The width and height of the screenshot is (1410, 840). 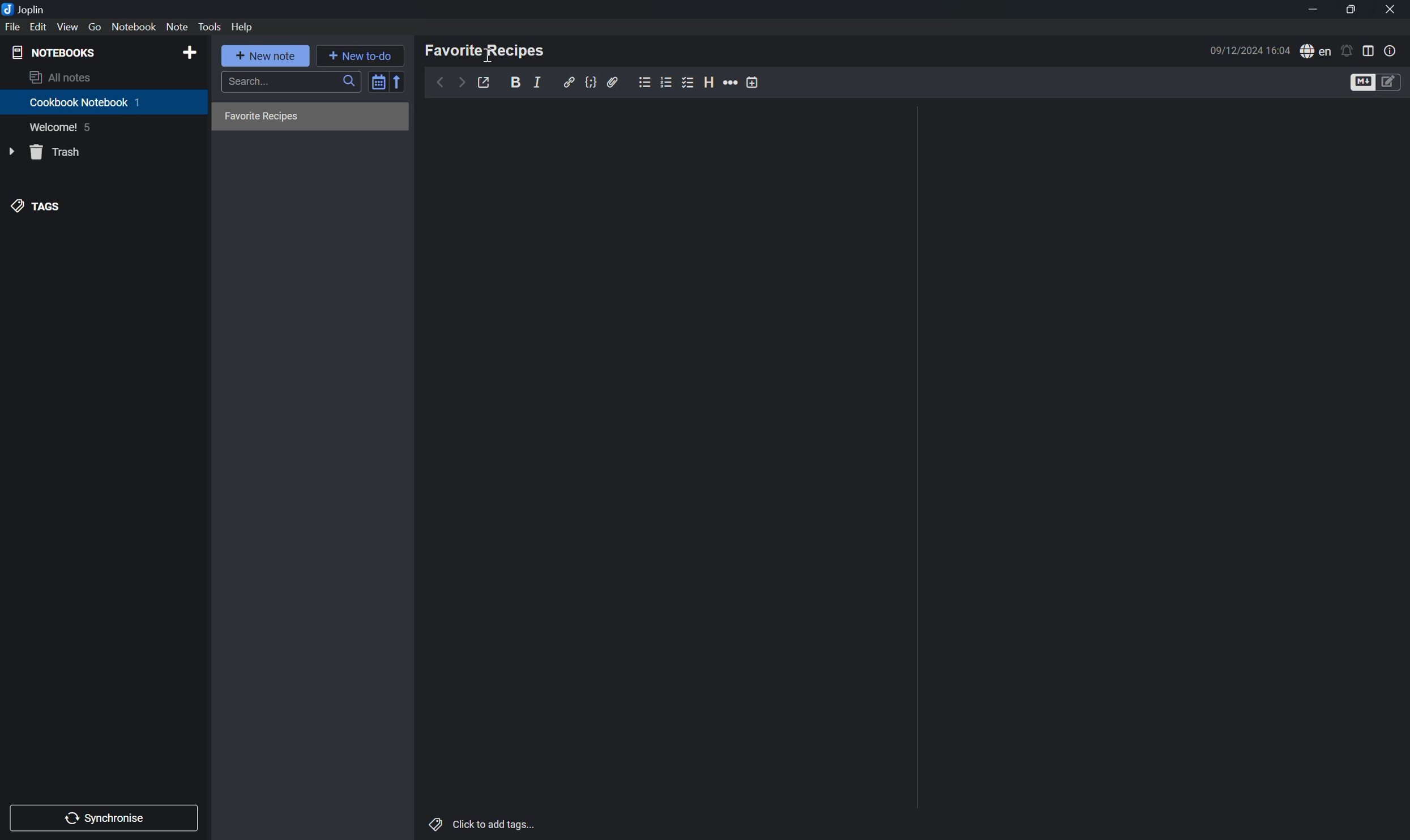 What do you see at coordinates (38, 27) in the screenshot?
I see `Edit` at bounding box center [38, 27].